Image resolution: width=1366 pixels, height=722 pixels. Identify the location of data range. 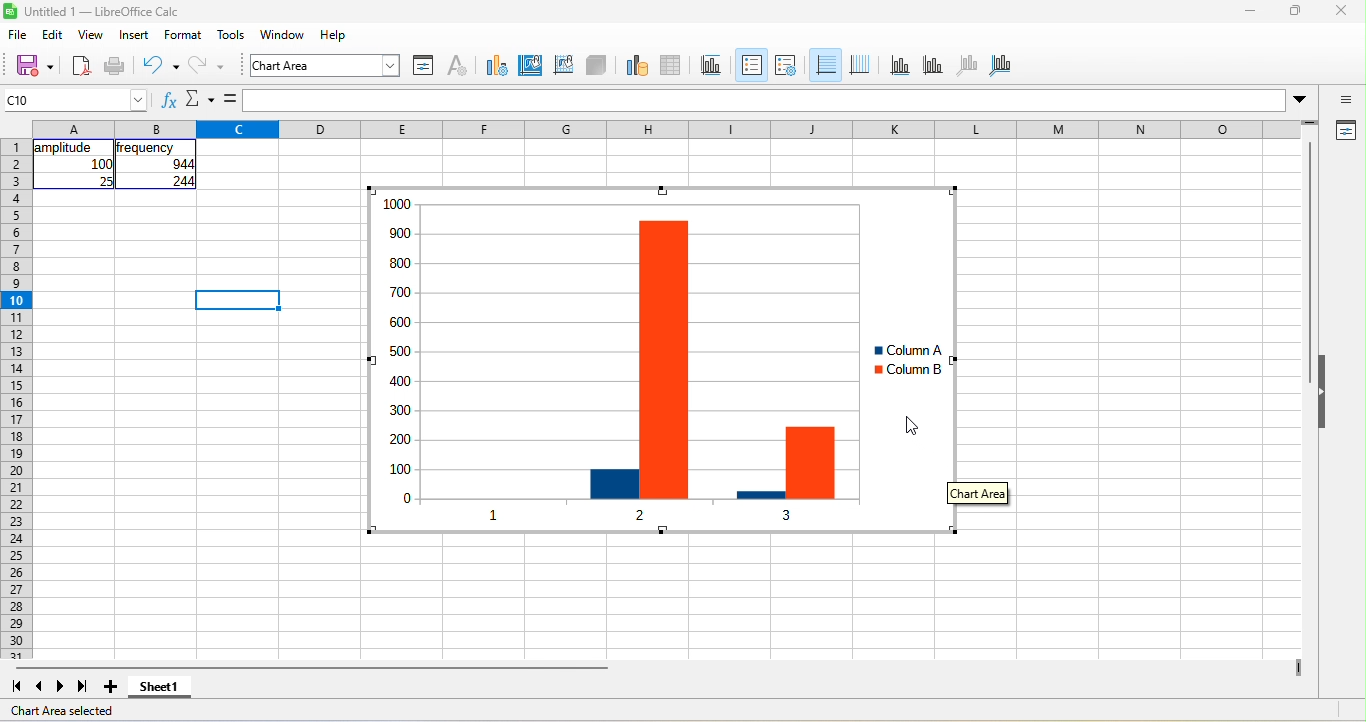
(637, 66).